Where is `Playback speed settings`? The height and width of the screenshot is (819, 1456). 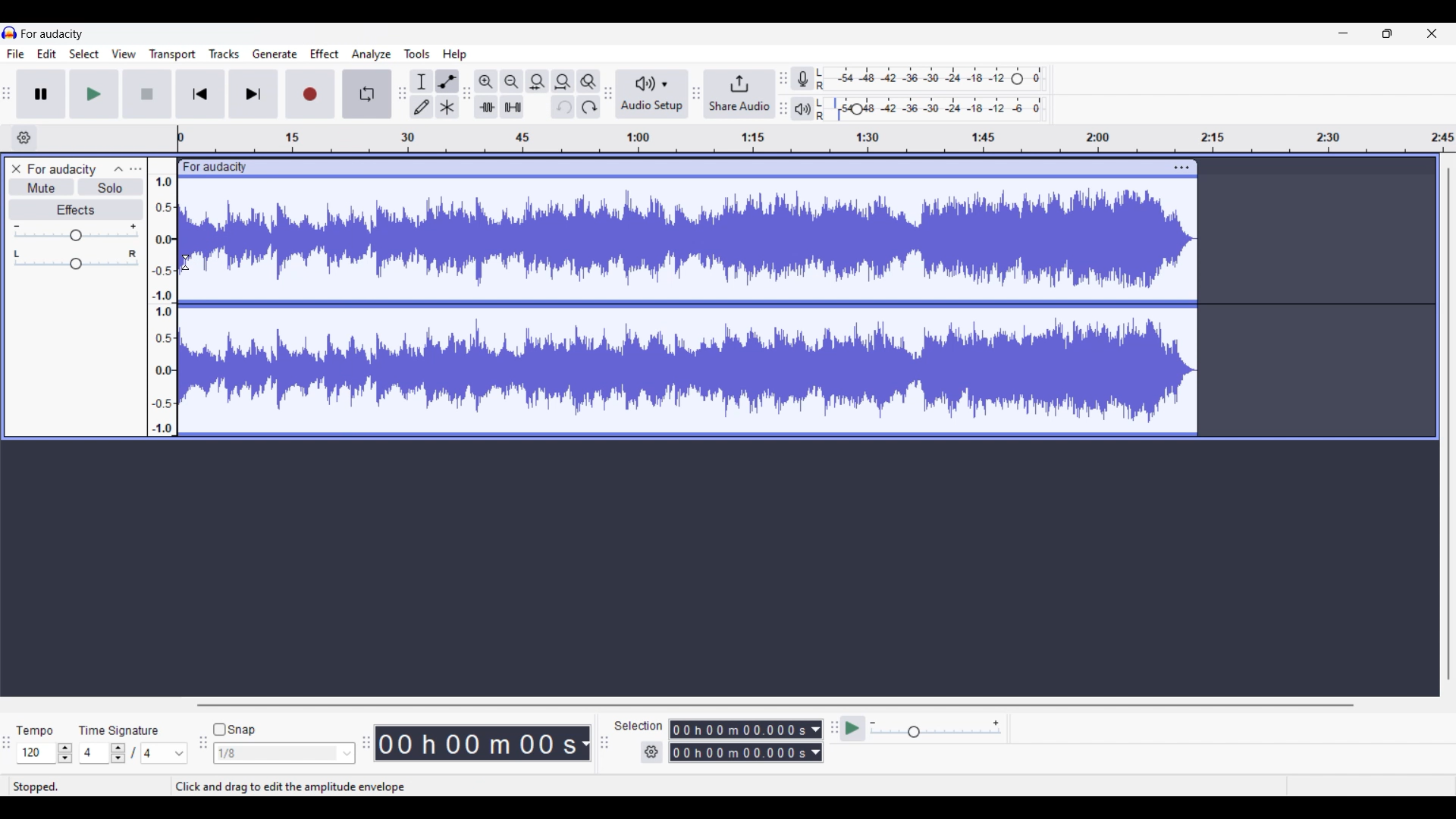
Playback speed settings is located at coordinates (936, 728).